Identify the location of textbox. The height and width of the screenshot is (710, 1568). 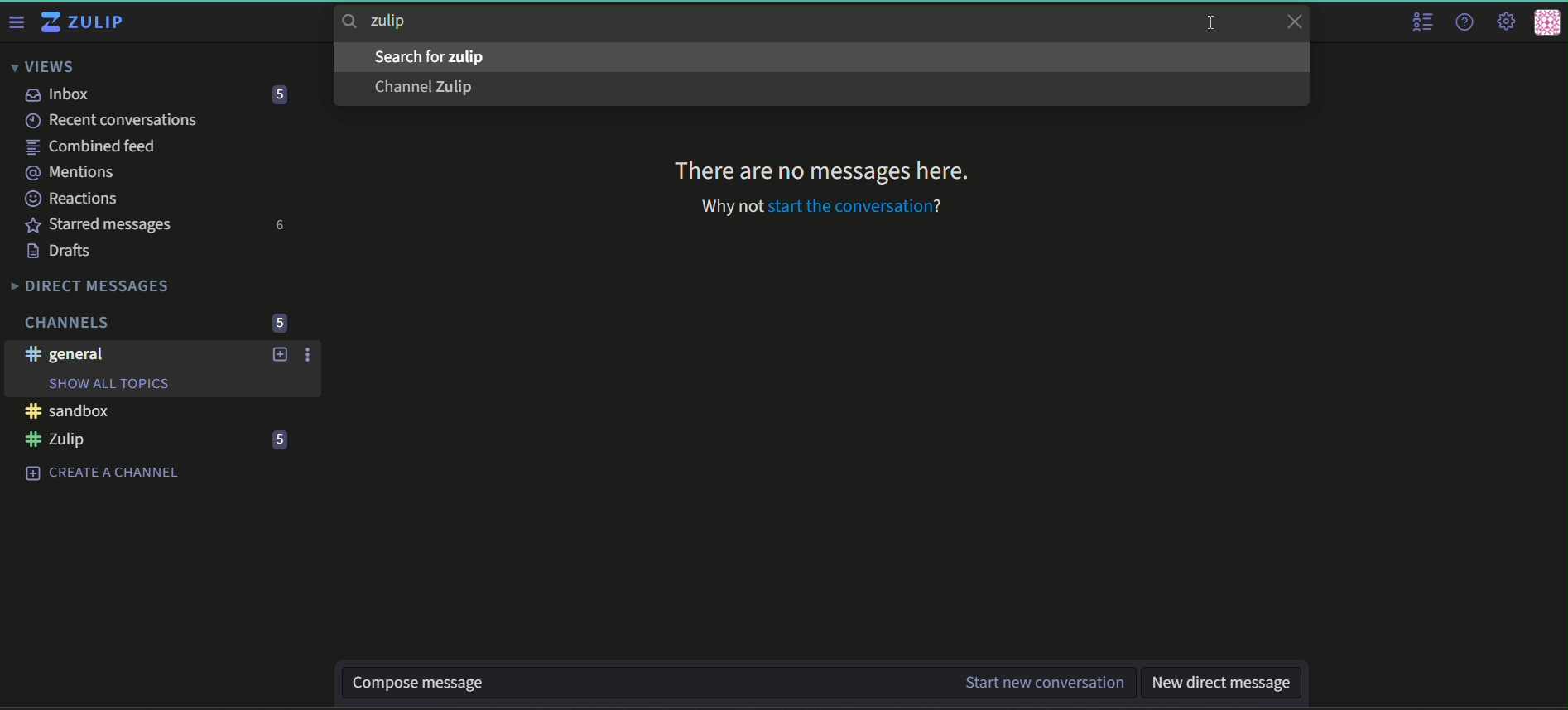
(1223, 681).